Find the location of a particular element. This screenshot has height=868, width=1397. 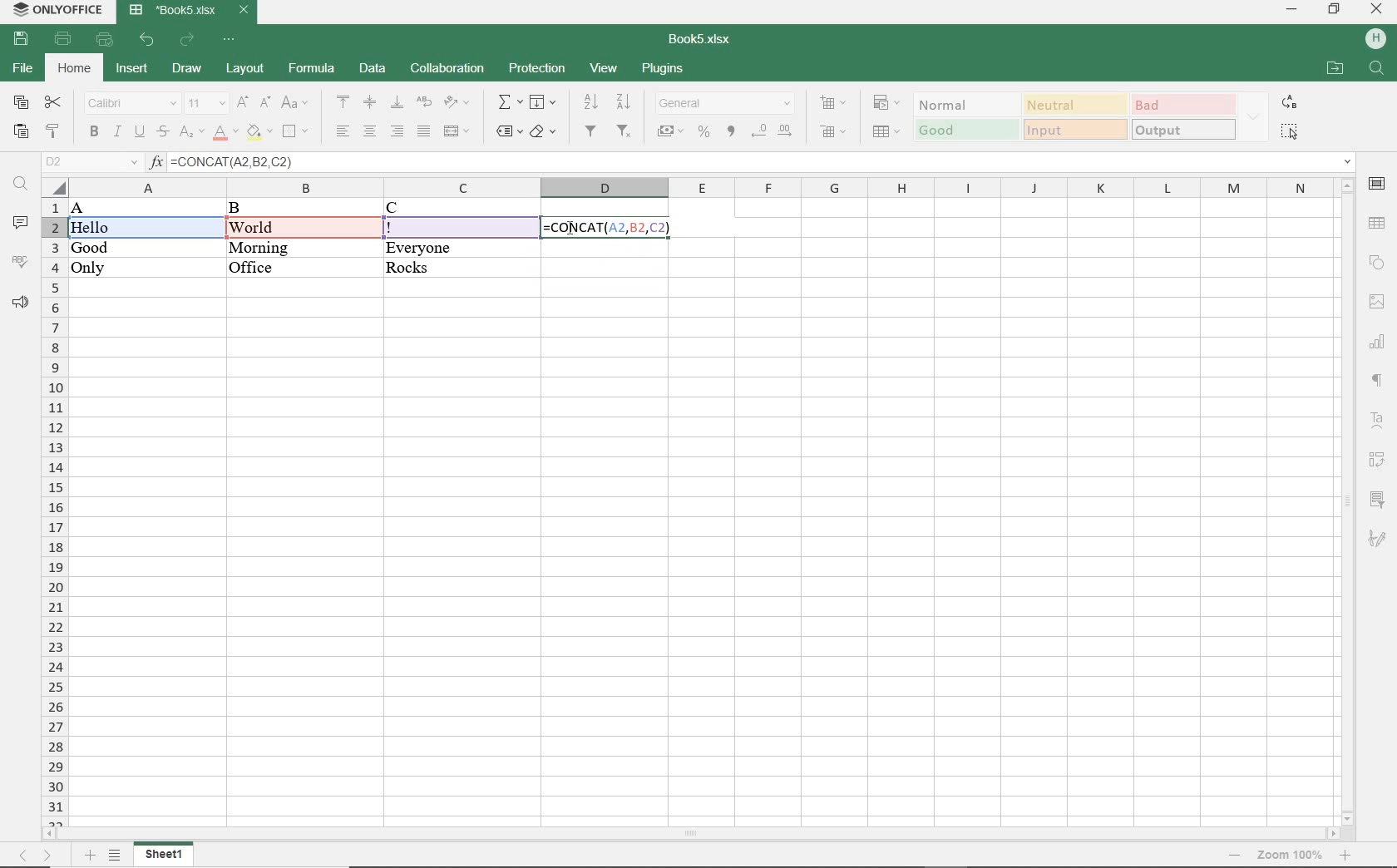

STRIKETHROUGH is located at coordinates (163, 133).